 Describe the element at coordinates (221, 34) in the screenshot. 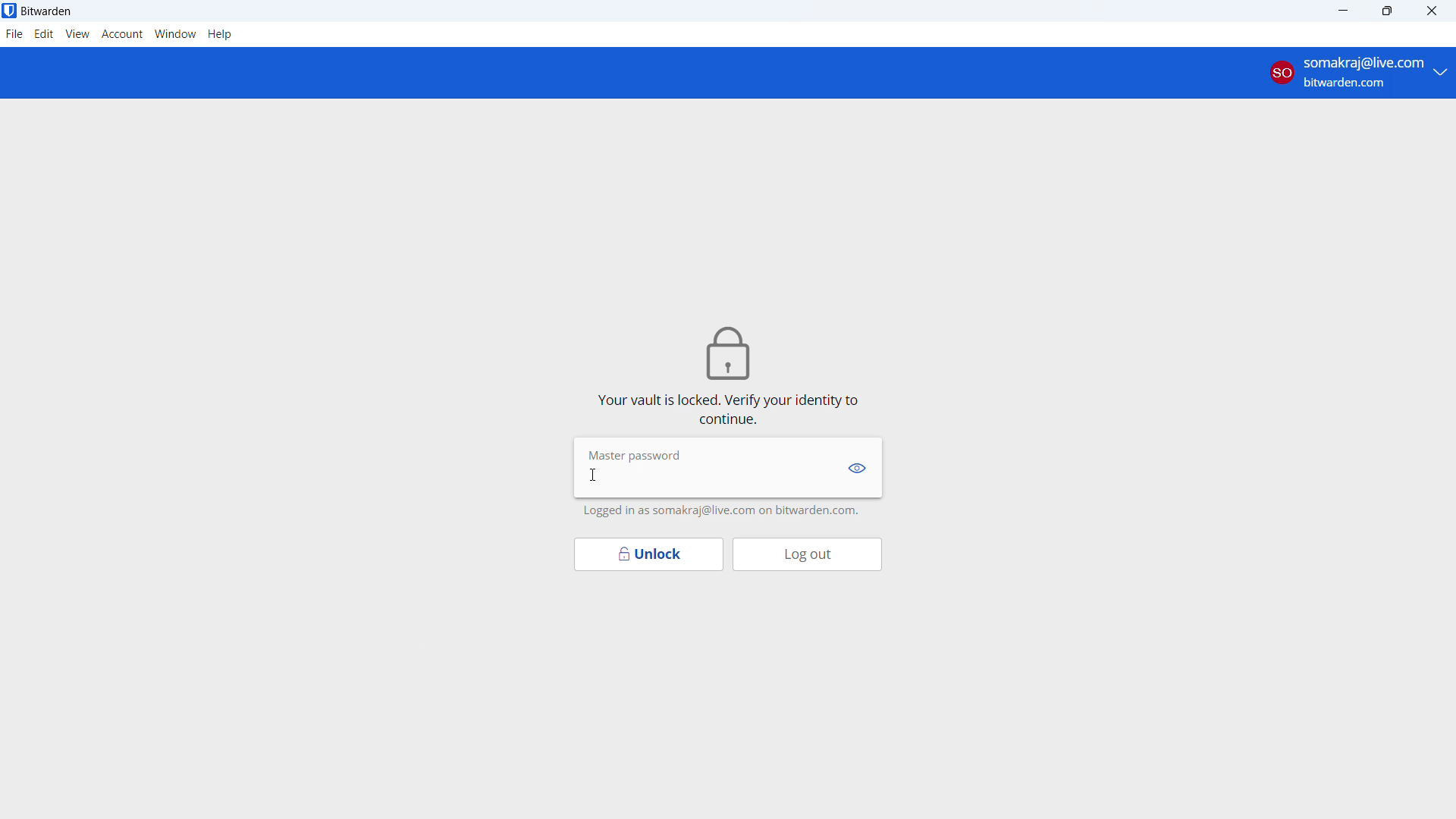

I see `help` at that location.